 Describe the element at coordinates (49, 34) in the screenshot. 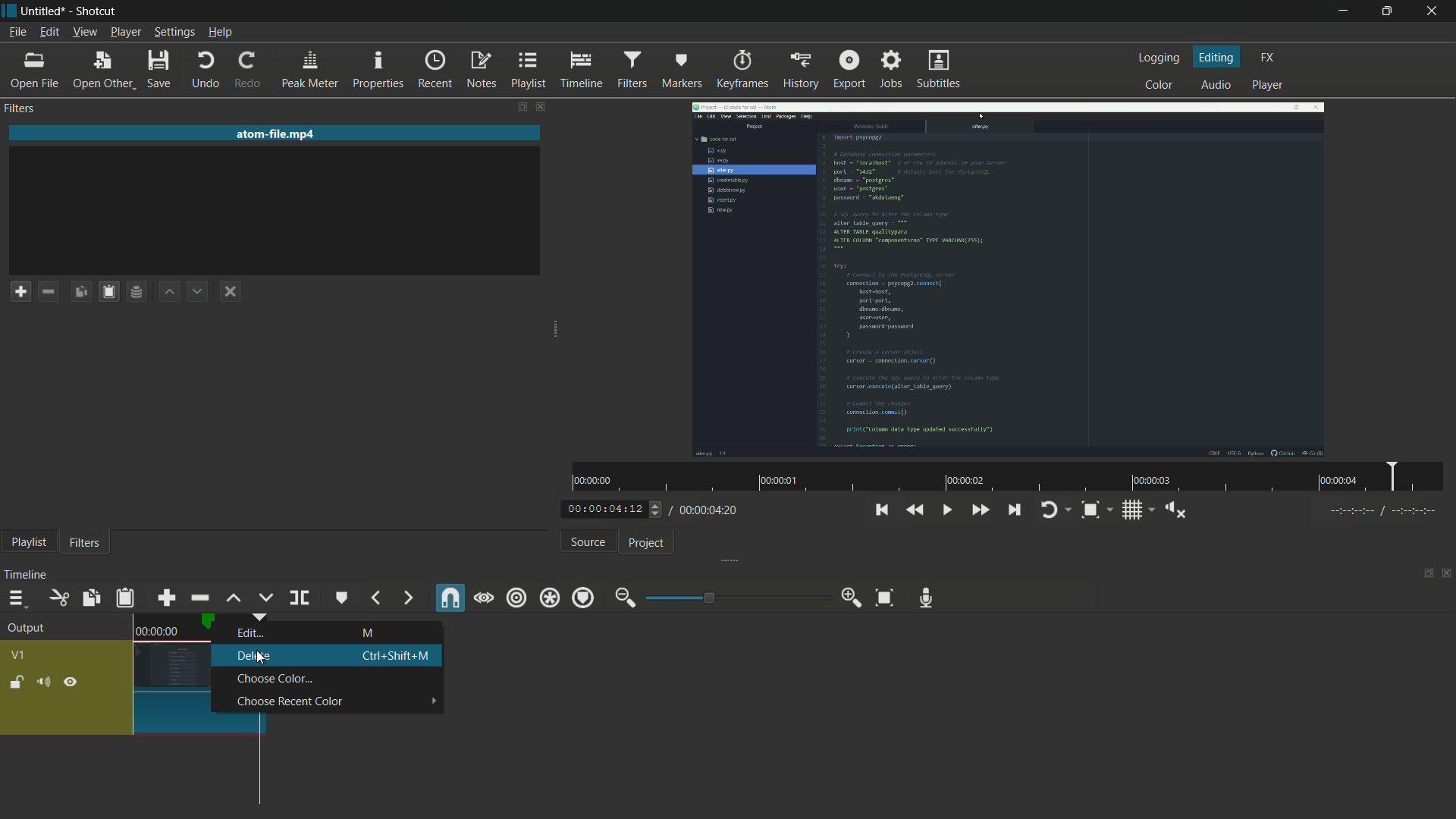

I see `edit menu` at that location.